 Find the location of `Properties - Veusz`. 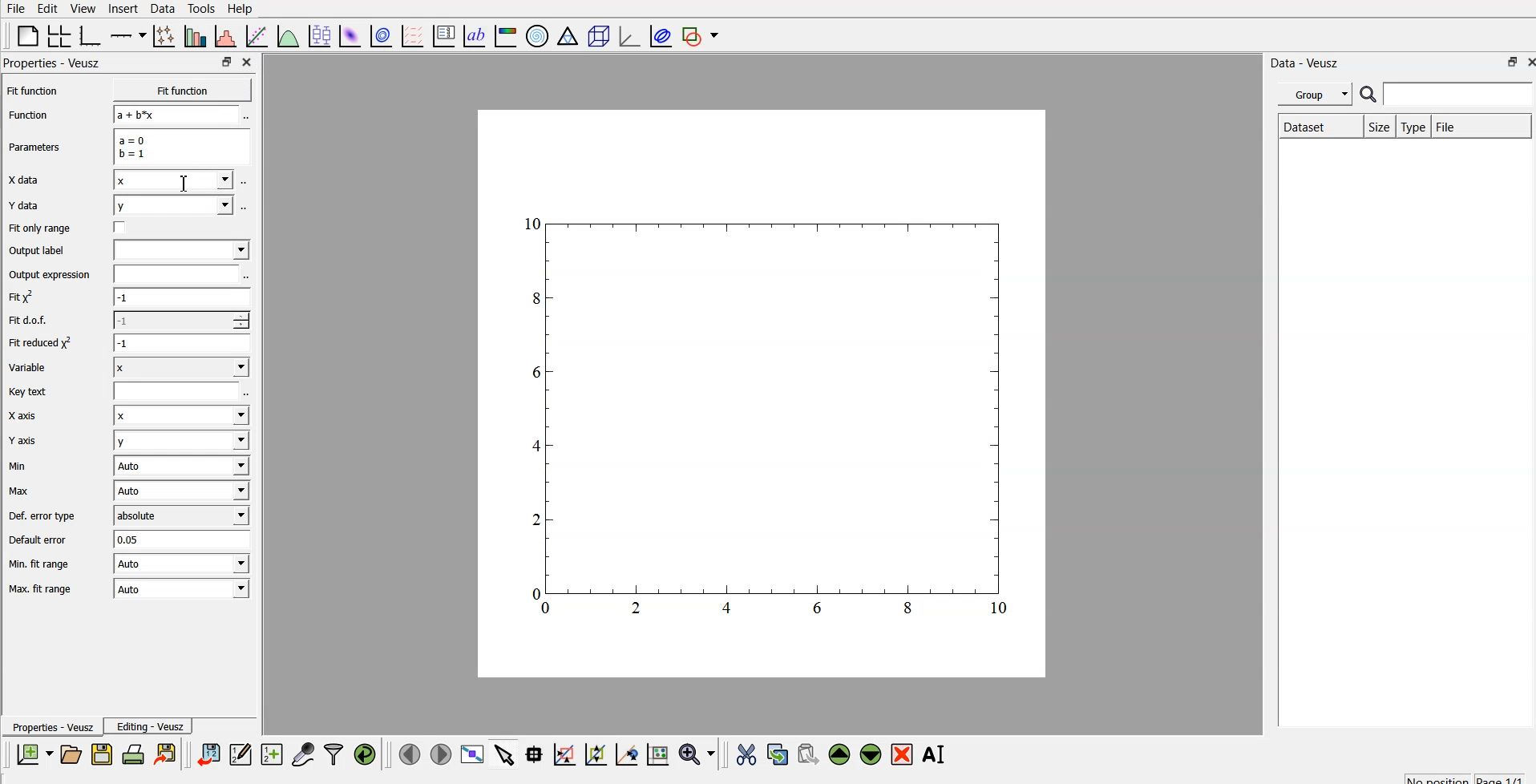

Properties - Veusz is located at coordinates (53, 726).